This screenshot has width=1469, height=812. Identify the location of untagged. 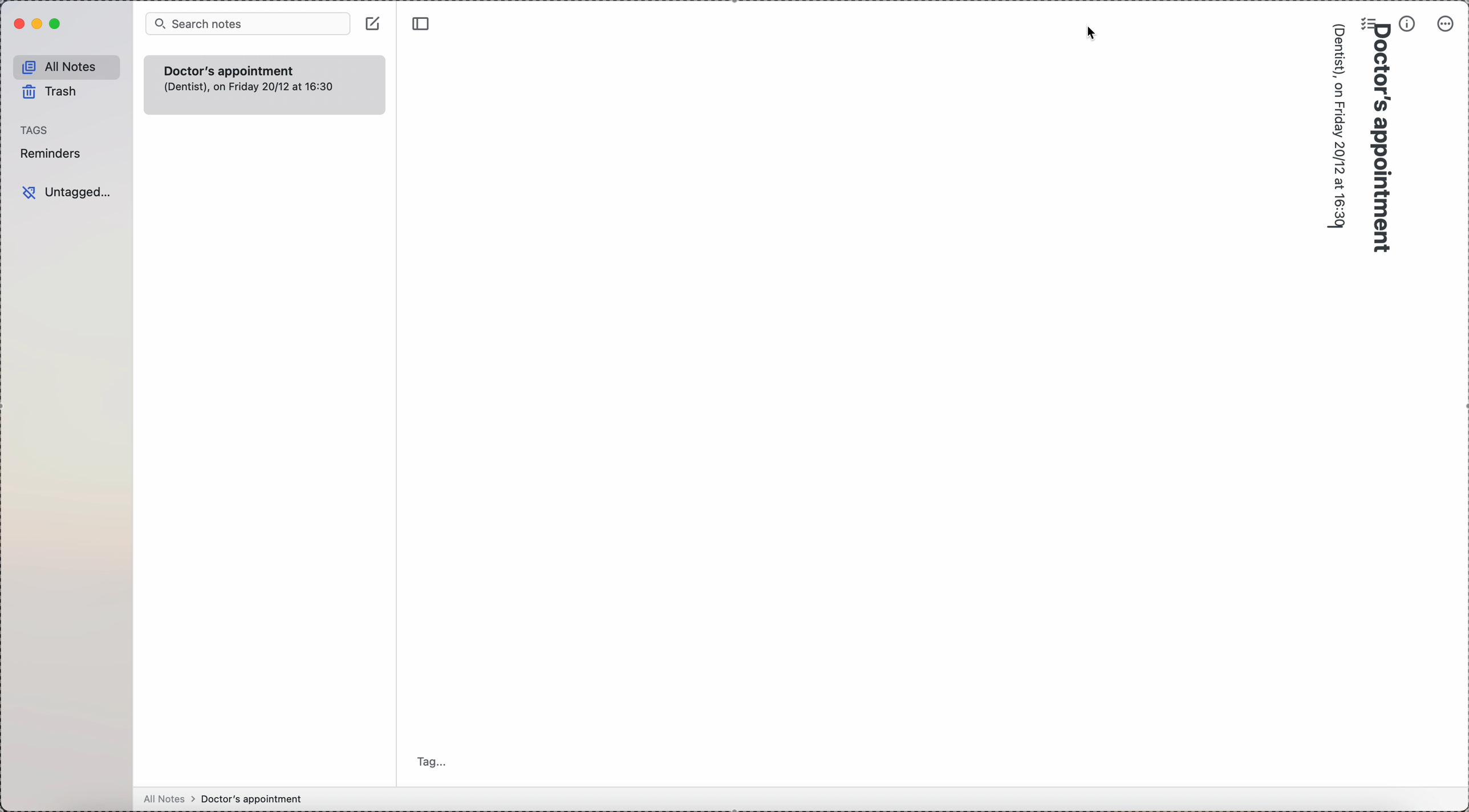
(65, 192).